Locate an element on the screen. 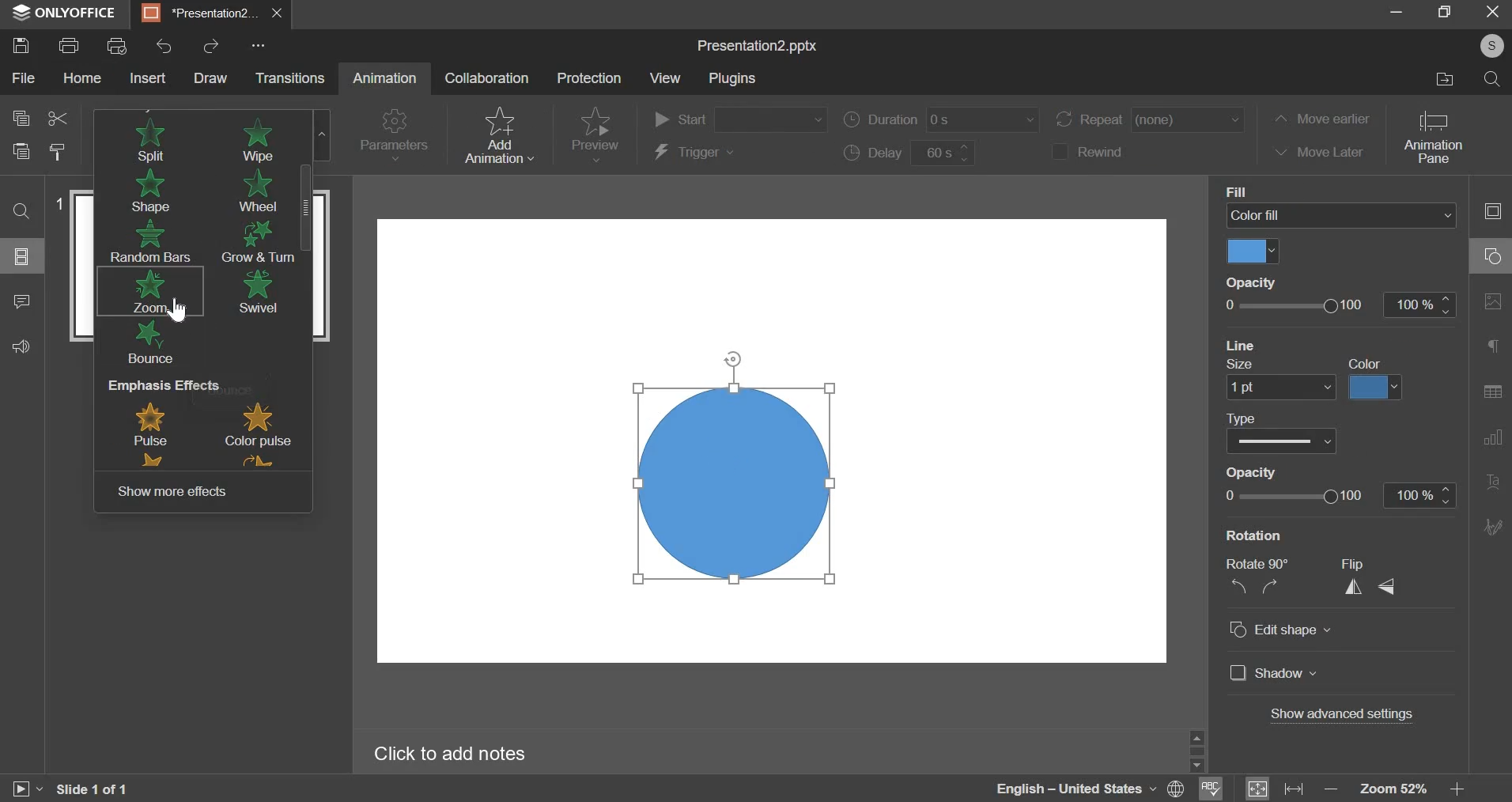 The image size is (1512, 802). reset background is located at coordinates (1300, 345).